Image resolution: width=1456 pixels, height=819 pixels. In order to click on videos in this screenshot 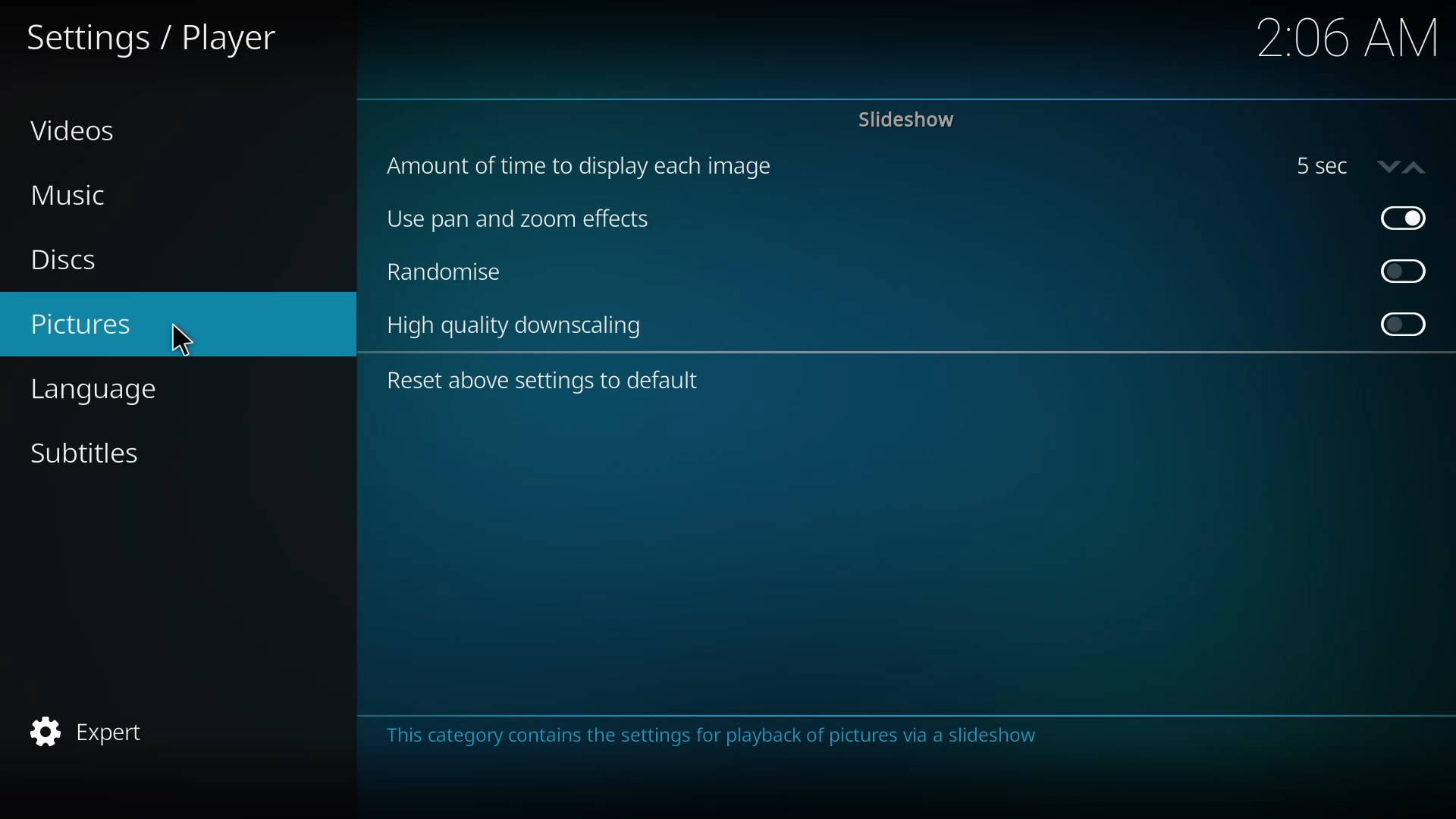, I will do `click(76, 128)`.